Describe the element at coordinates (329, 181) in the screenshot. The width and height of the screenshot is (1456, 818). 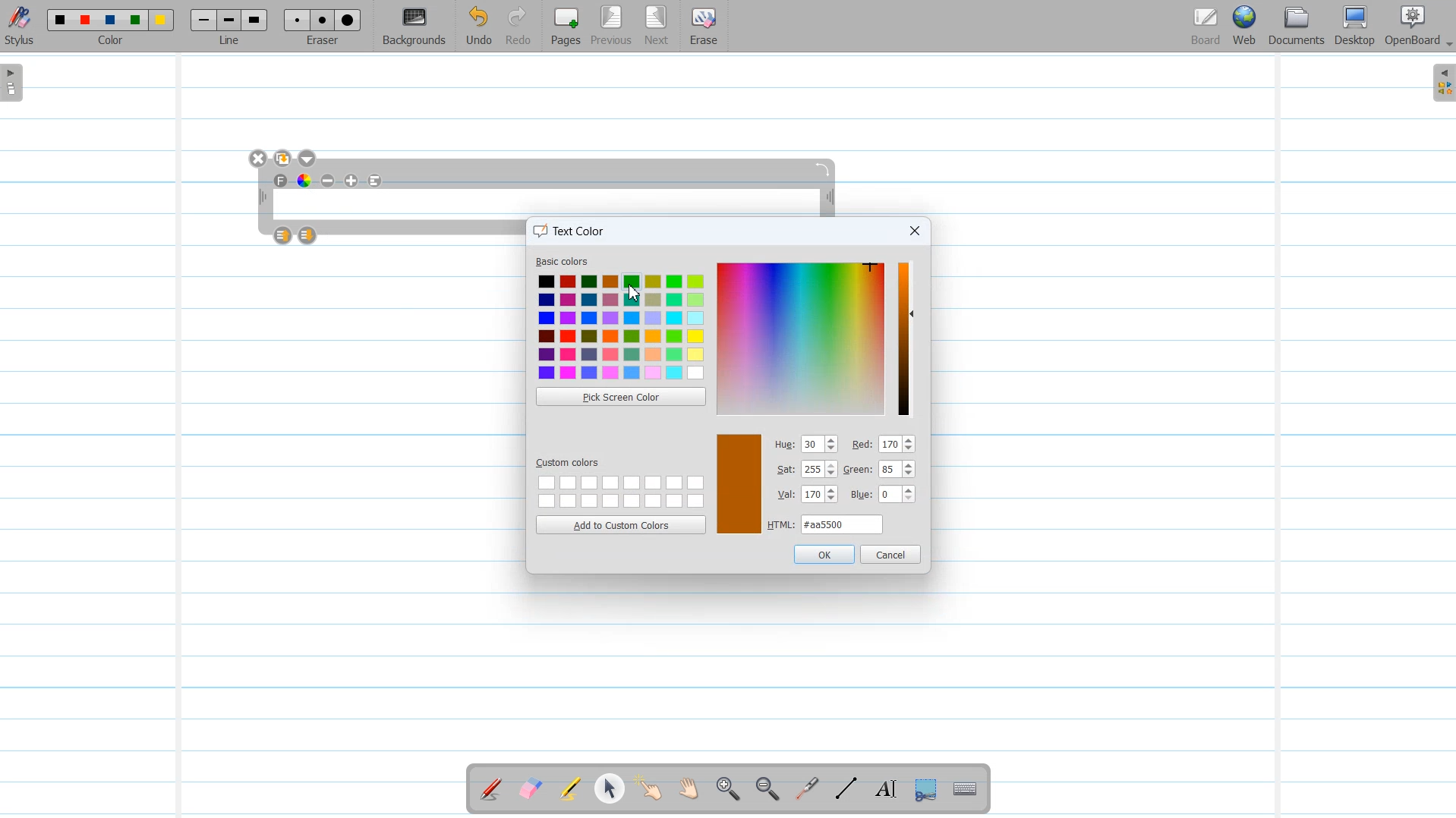
I see `Minimize text size` at that location.